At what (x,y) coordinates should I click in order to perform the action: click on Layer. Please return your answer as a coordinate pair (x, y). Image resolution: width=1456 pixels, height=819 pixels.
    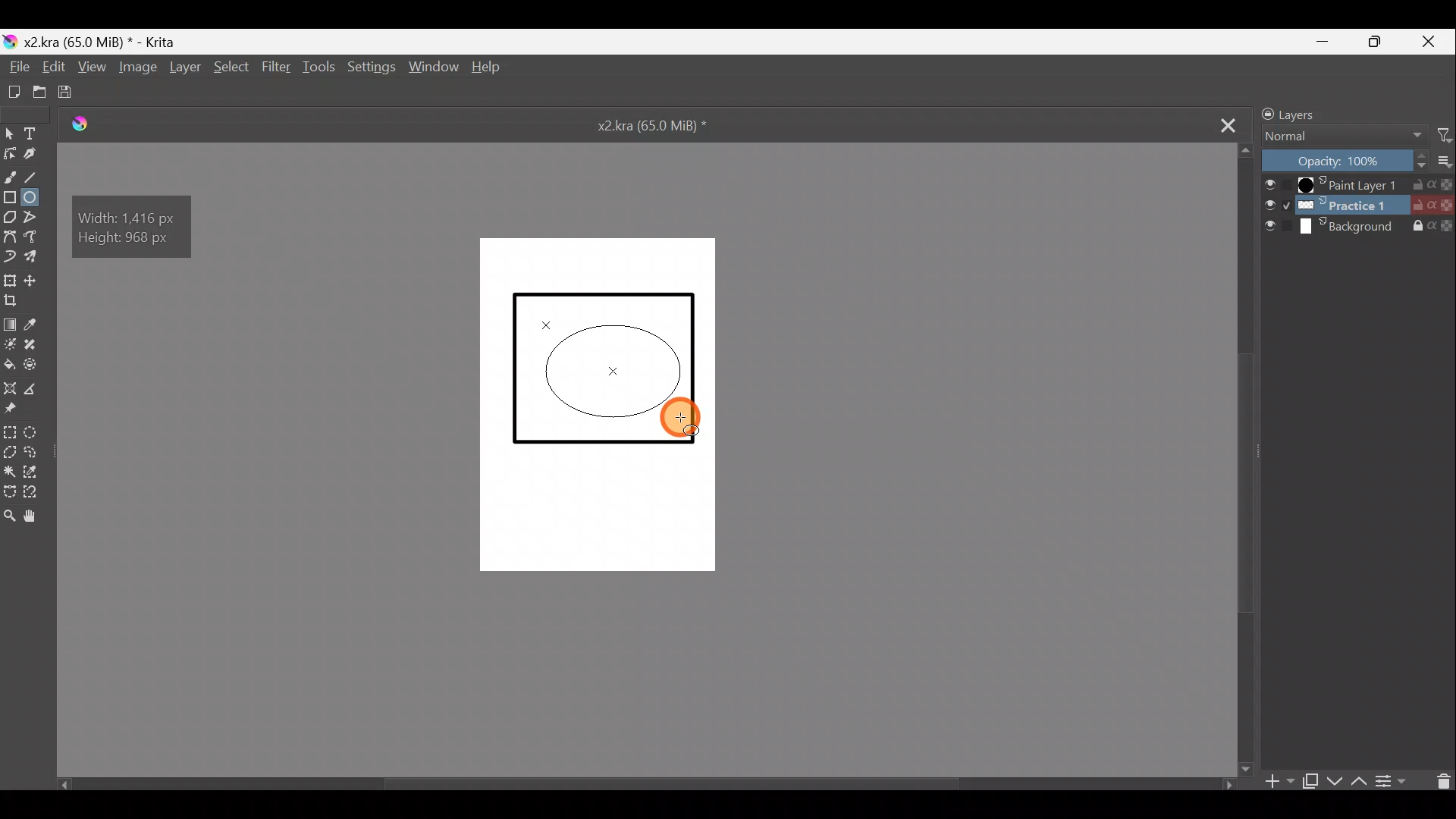
    Looking at the image, I should click on (186, 71).